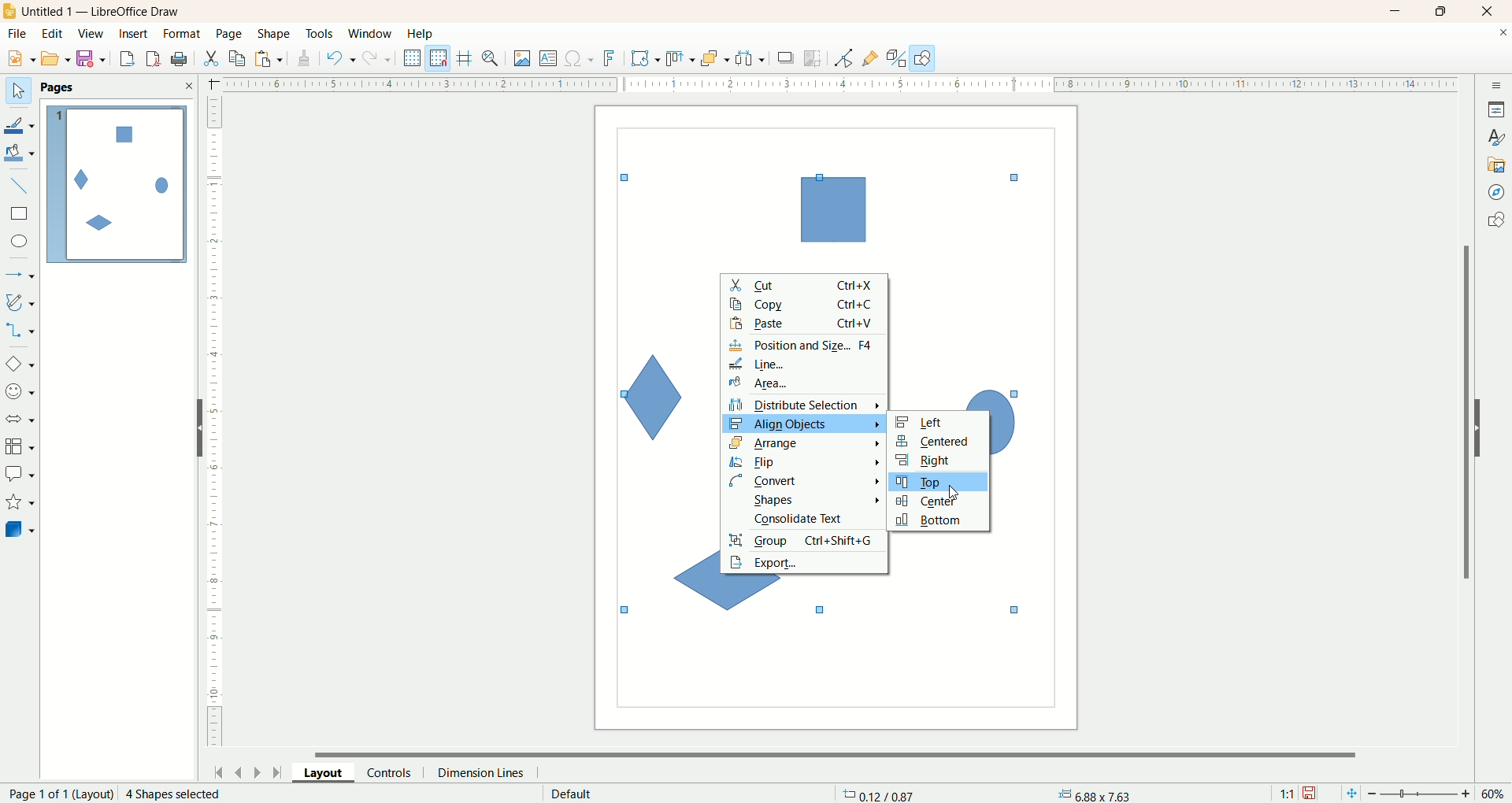 Image resolution: width=1512 pixels, height=803 pixels. Describe the element at coordinates (210, 58) in the screenshot. I see `cut` at that location.